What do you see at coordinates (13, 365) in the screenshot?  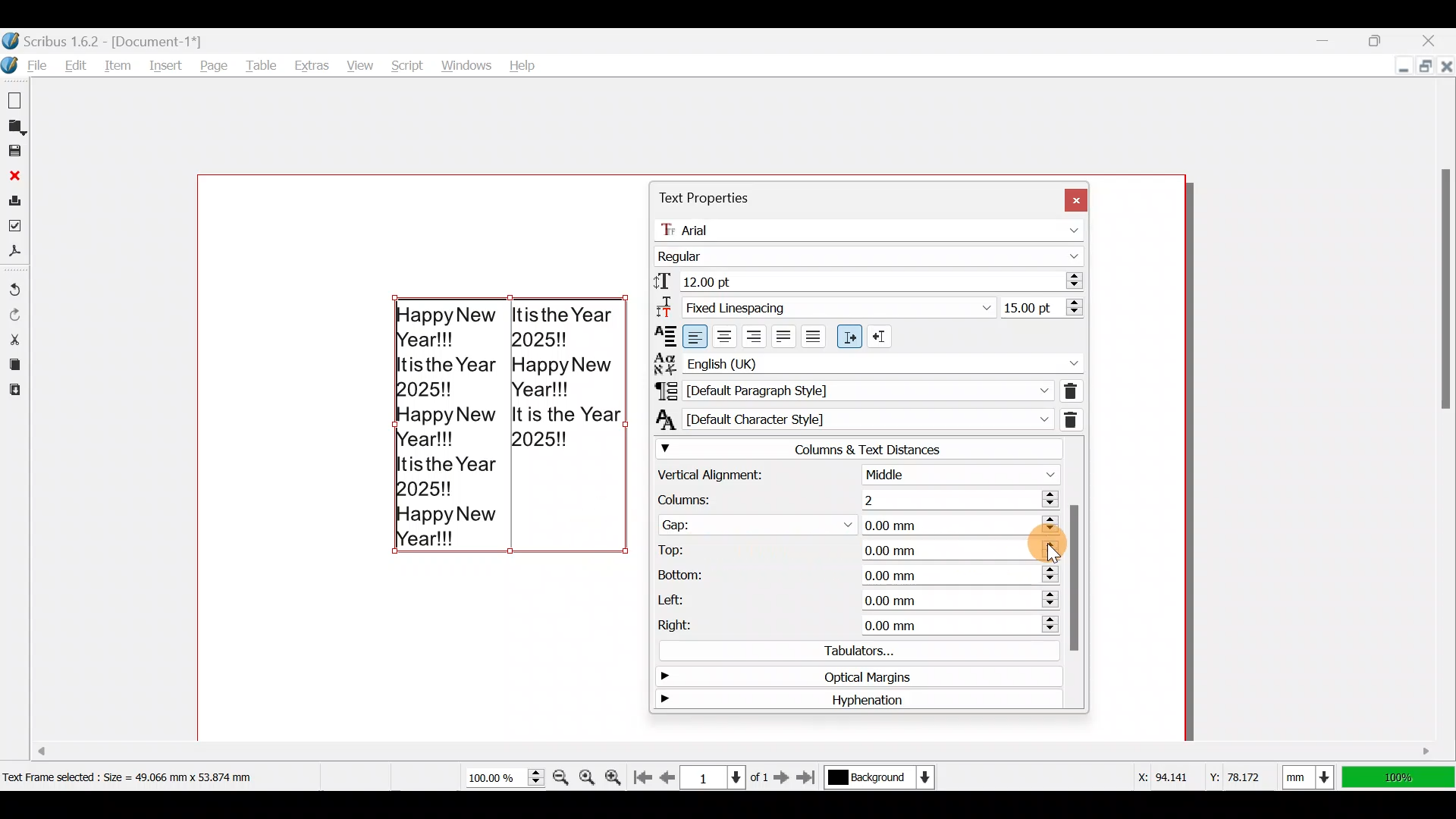 I see `Copy` at bounding box center [13, 365].